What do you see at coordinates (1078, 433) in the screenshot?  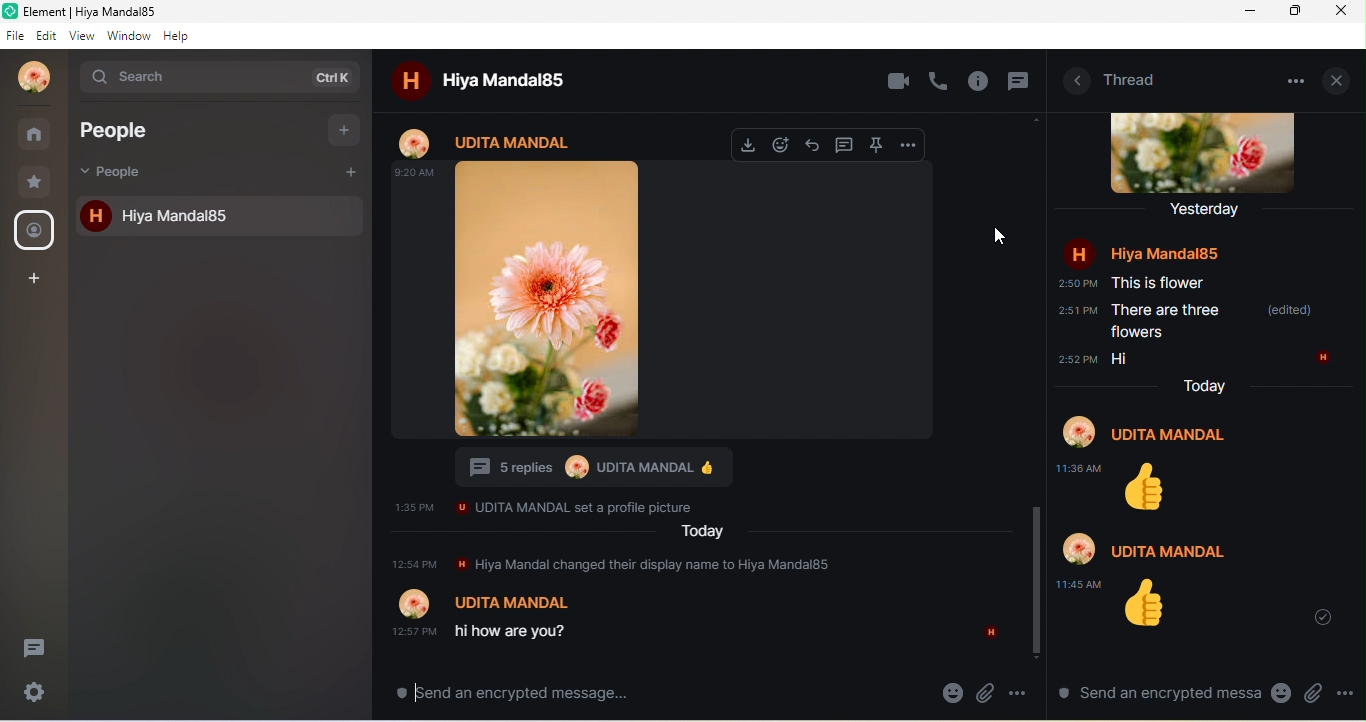 I see `Profile picture` at bounding box center [1078, 433].